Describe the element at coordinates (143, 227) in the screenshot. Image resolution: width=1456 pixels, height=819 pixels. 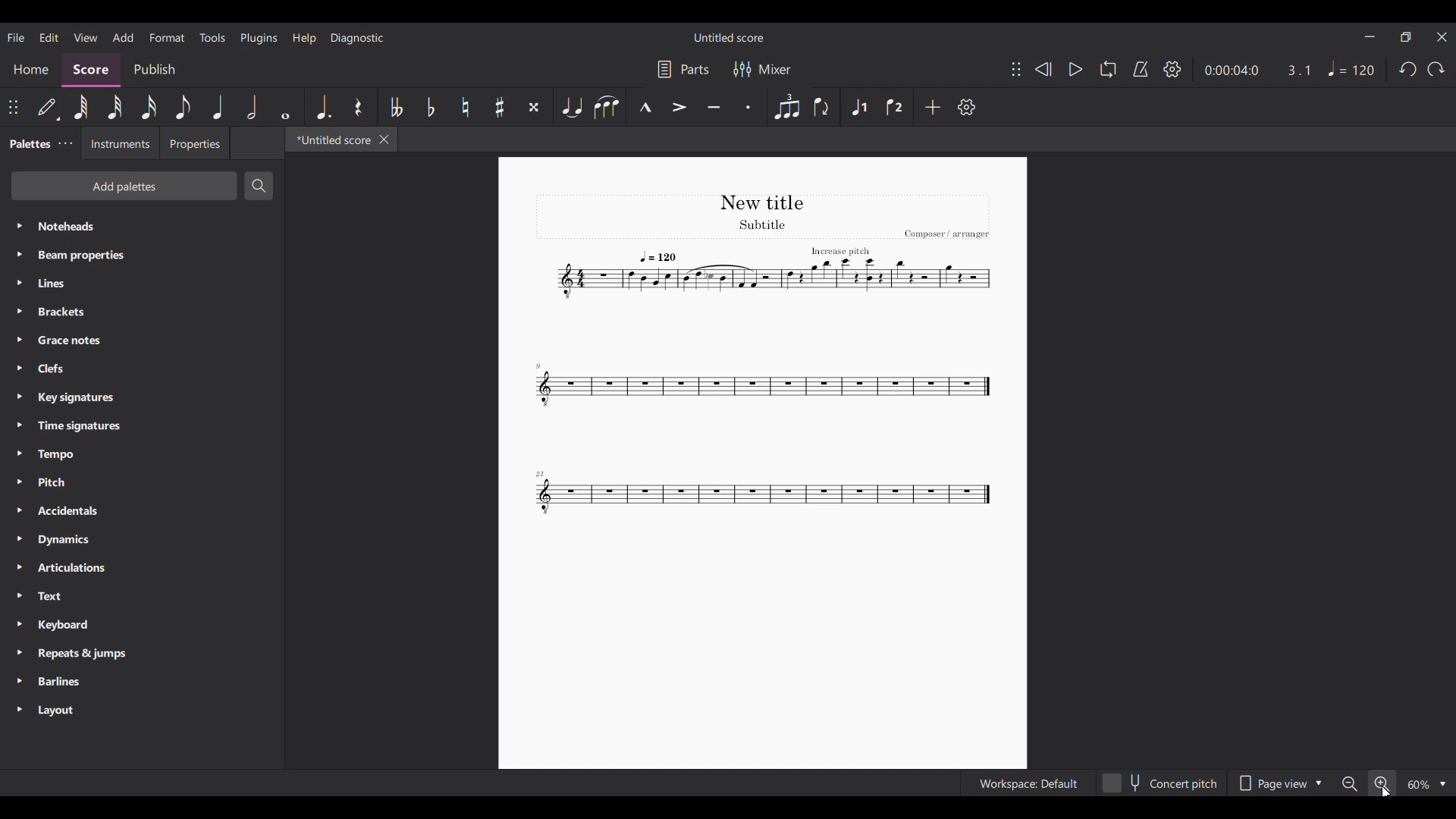
I see `Noteheads` at that location.